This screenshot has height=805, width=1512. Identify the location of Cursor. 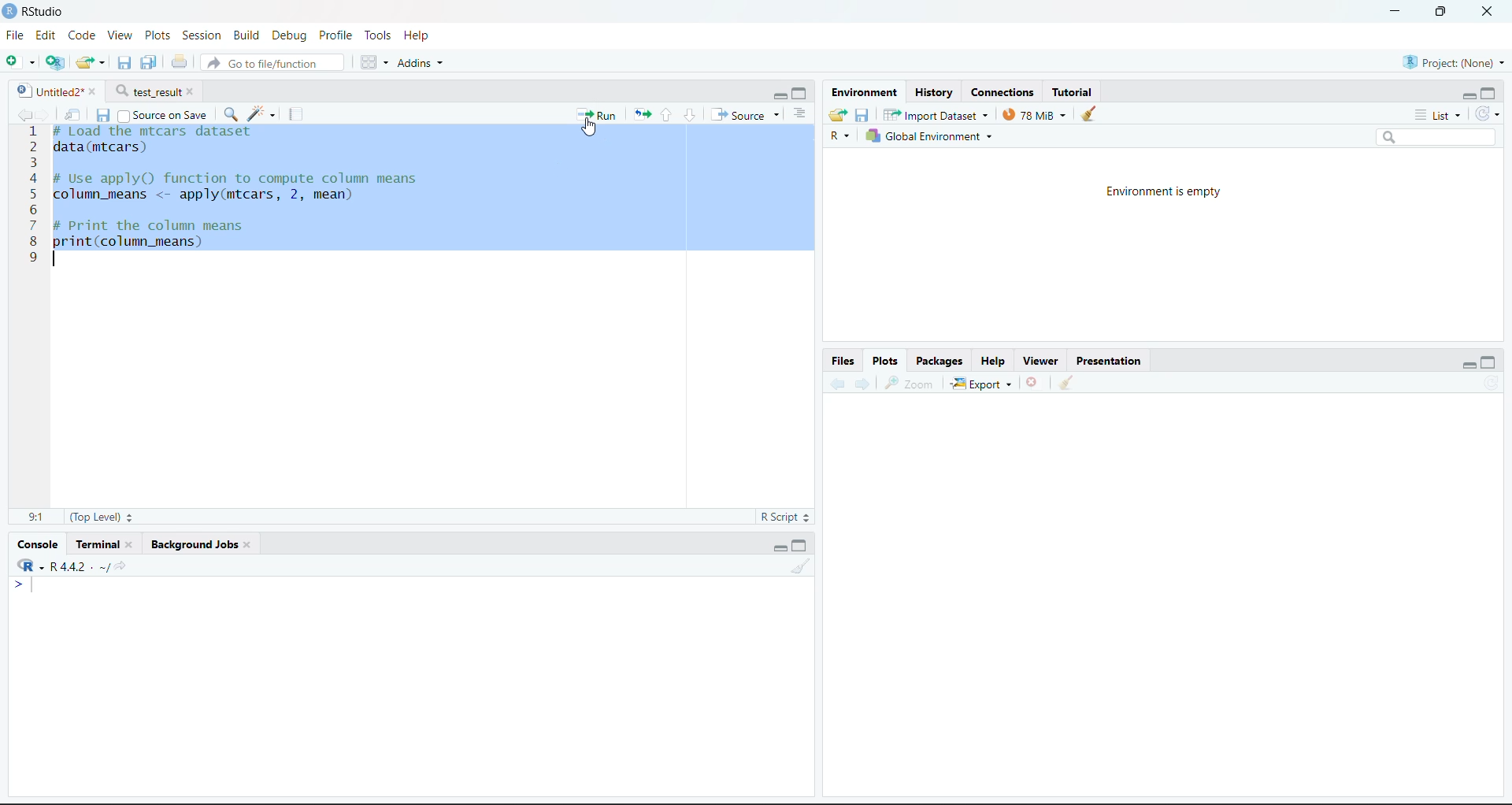
(592, 131).